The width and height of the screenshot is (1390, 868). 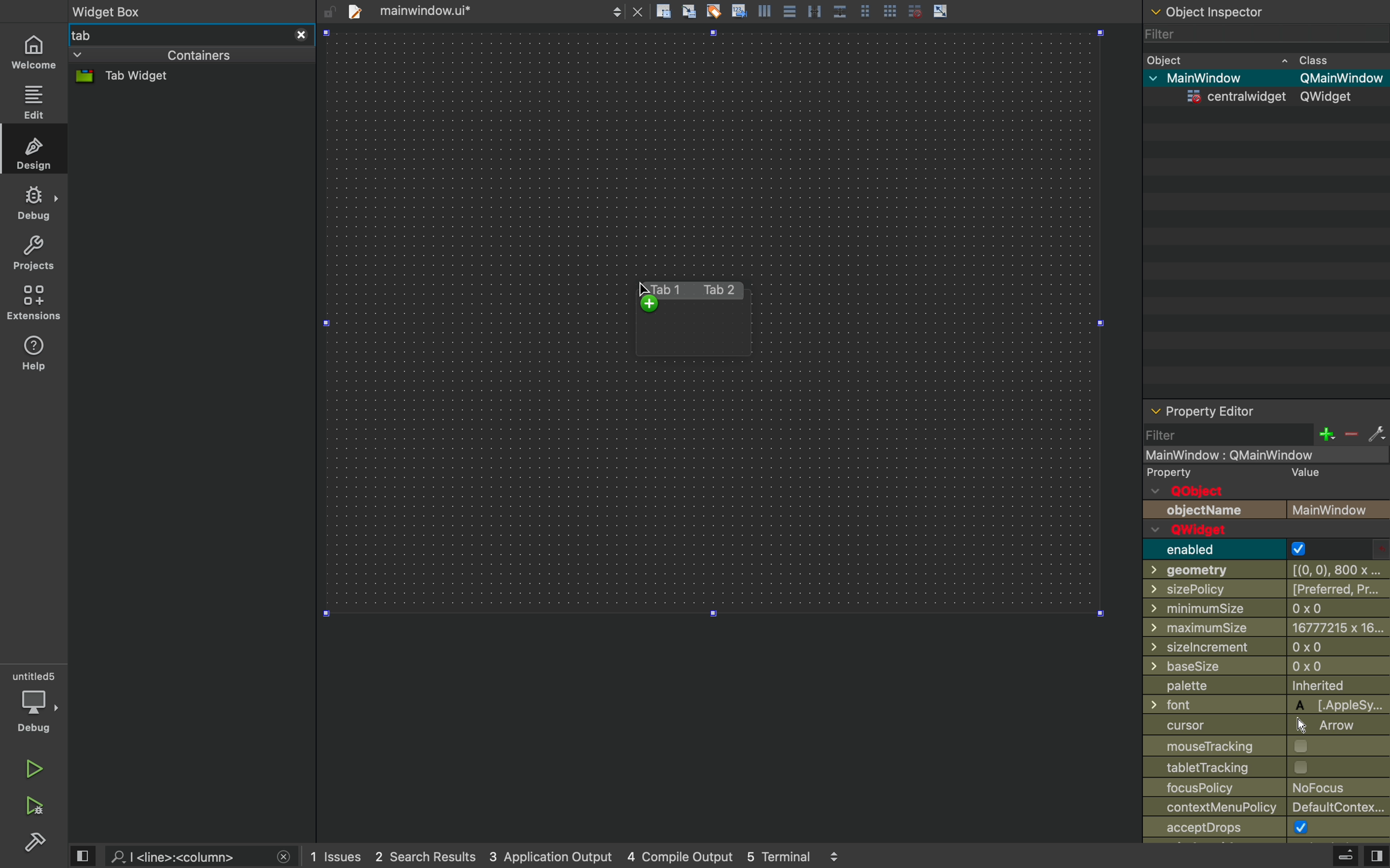 I want to click on property inspector, so click(x=1266, y=410).